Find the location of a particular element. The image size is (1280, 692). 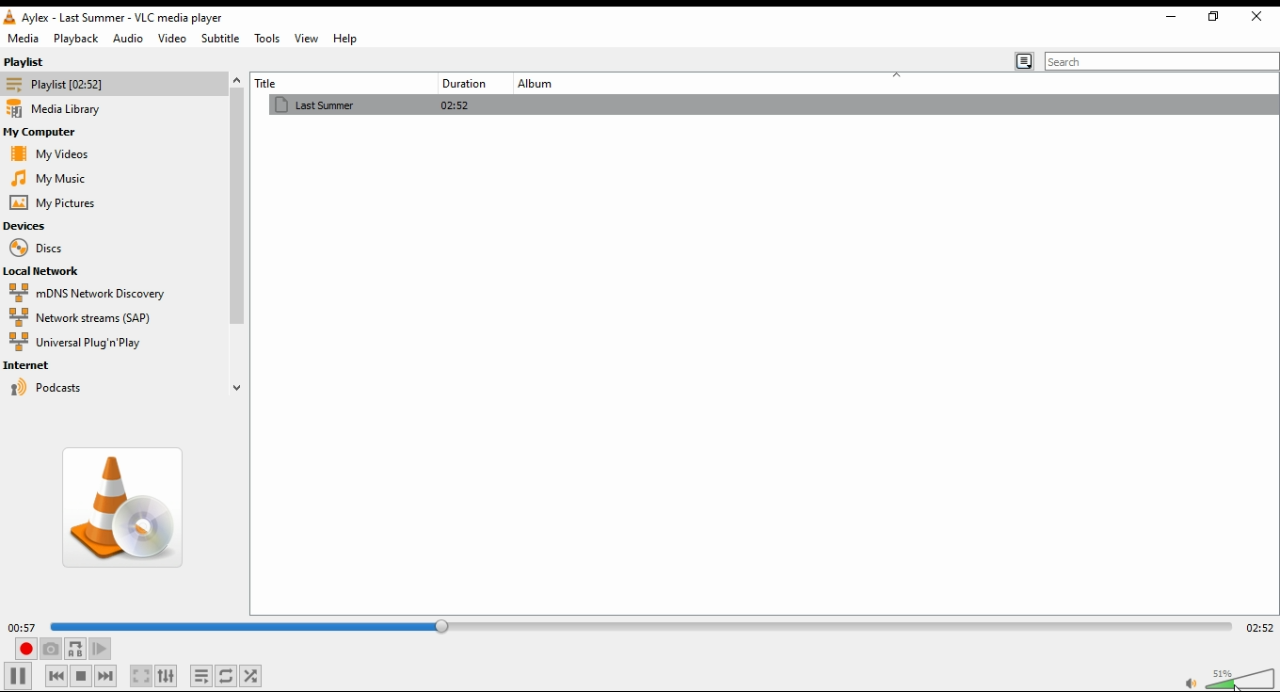

take a snapshot is located at coordinates (50, 649).